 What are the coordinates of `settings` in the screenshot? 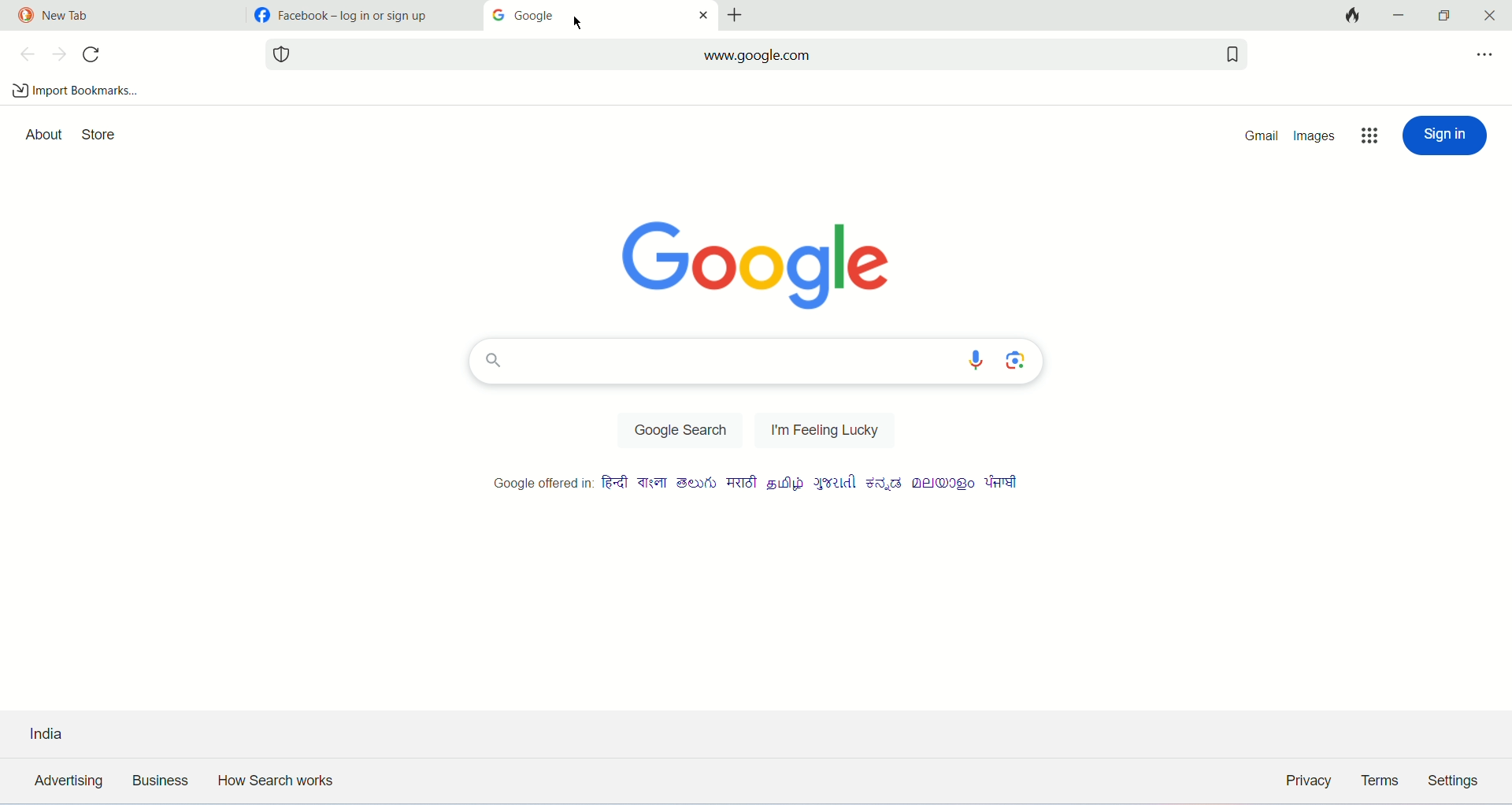 It's located at (1455, 777).